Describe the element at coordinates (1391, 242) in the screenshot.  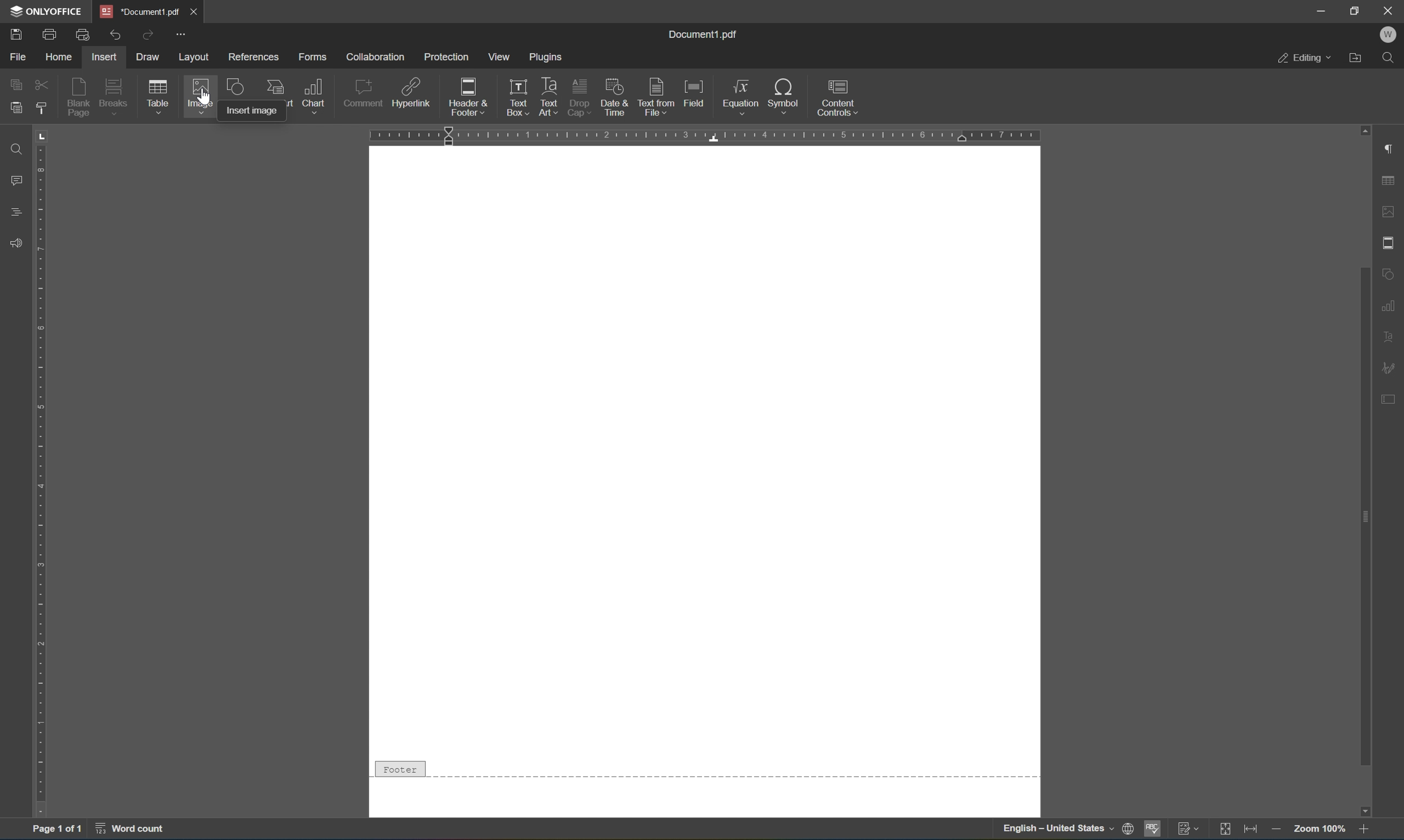
I see `header & footer settings` at that location.